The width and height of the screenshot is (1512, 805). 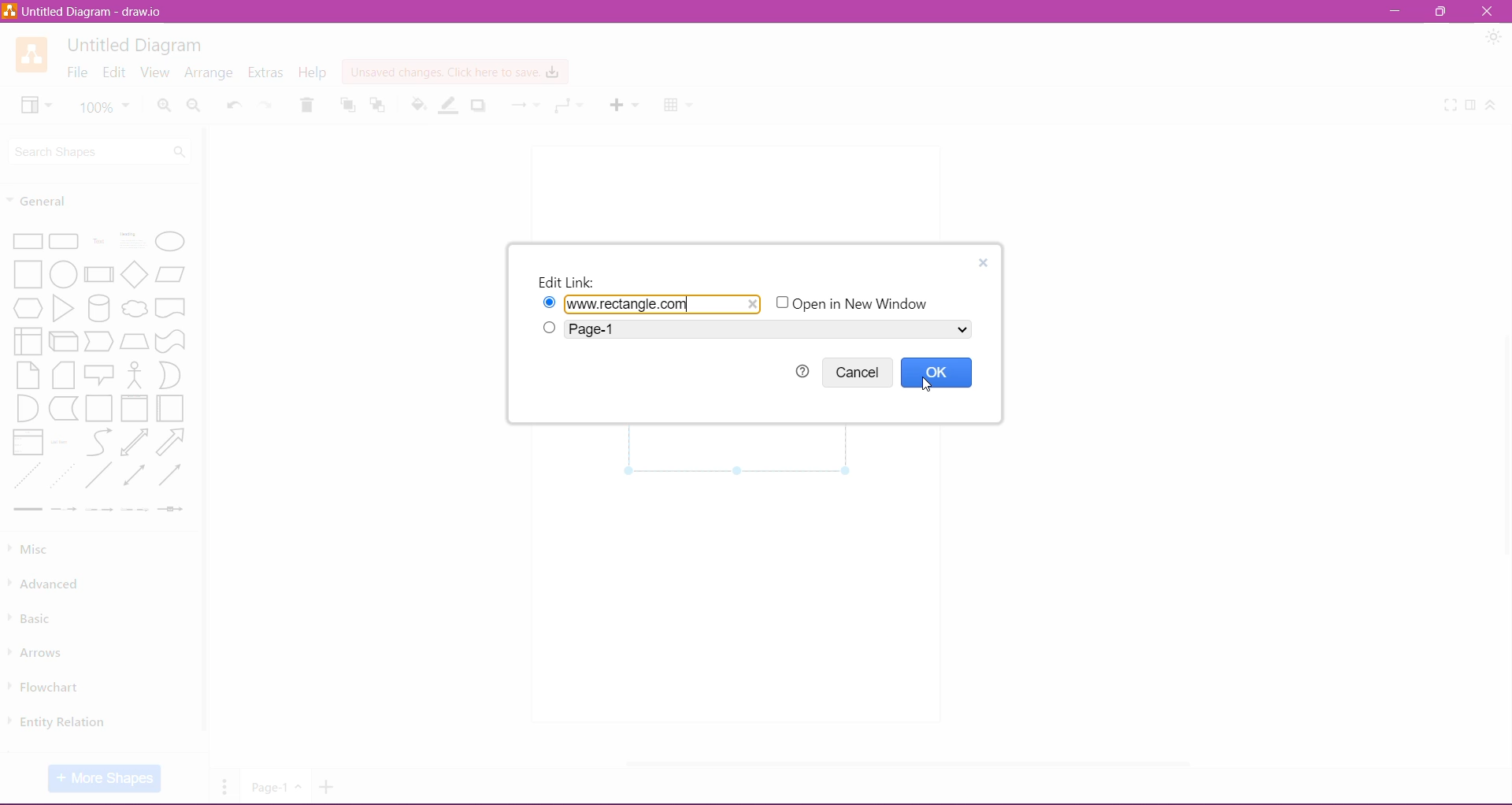 What do you see at coordinates (225, 786) in the screenshot?
I see `Pages` at bounding box center [225, 786].